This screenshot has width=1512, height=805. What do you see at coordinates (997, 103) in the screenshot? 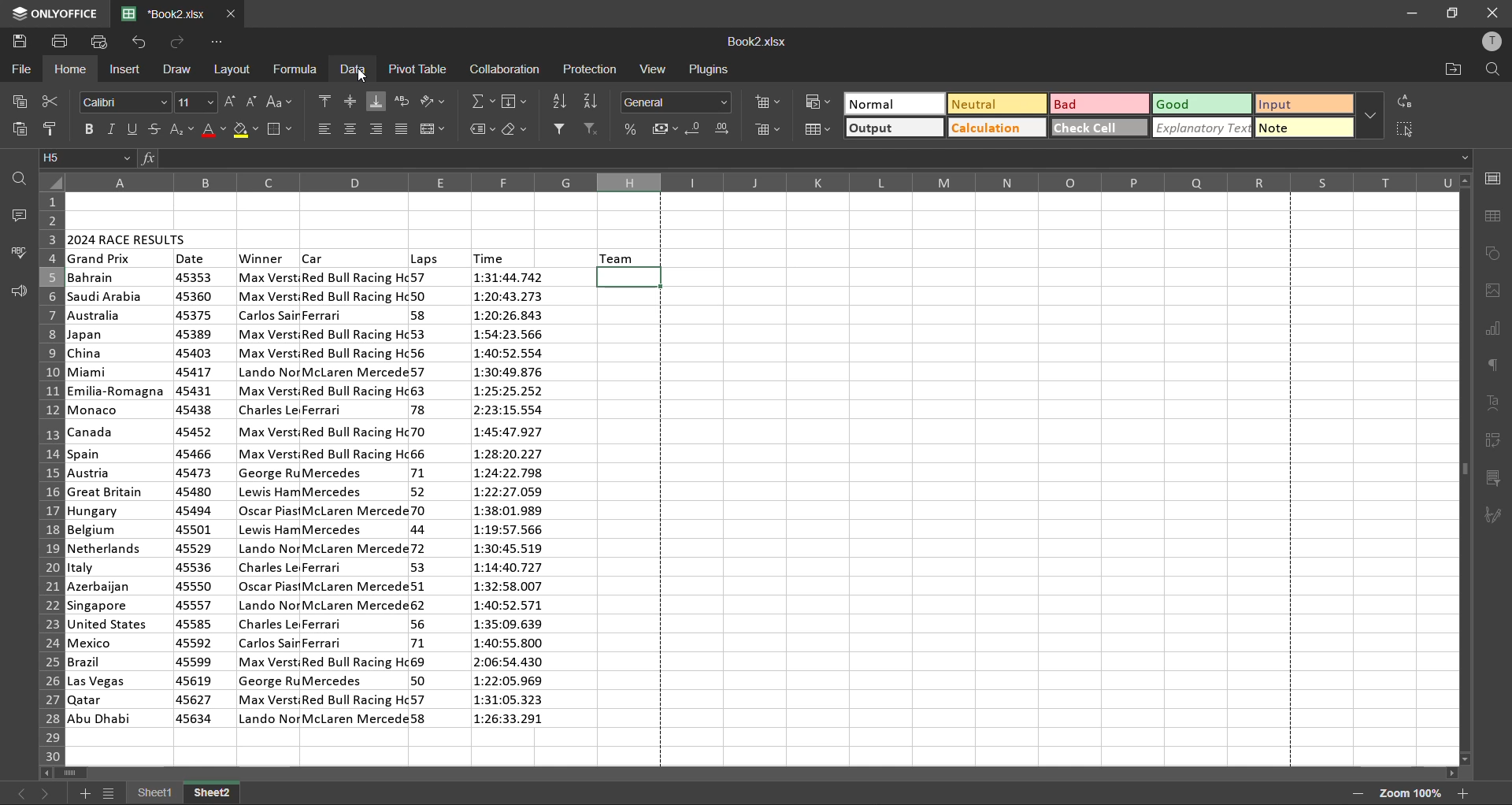
I see `neutral` at bounding box center [997, 103].